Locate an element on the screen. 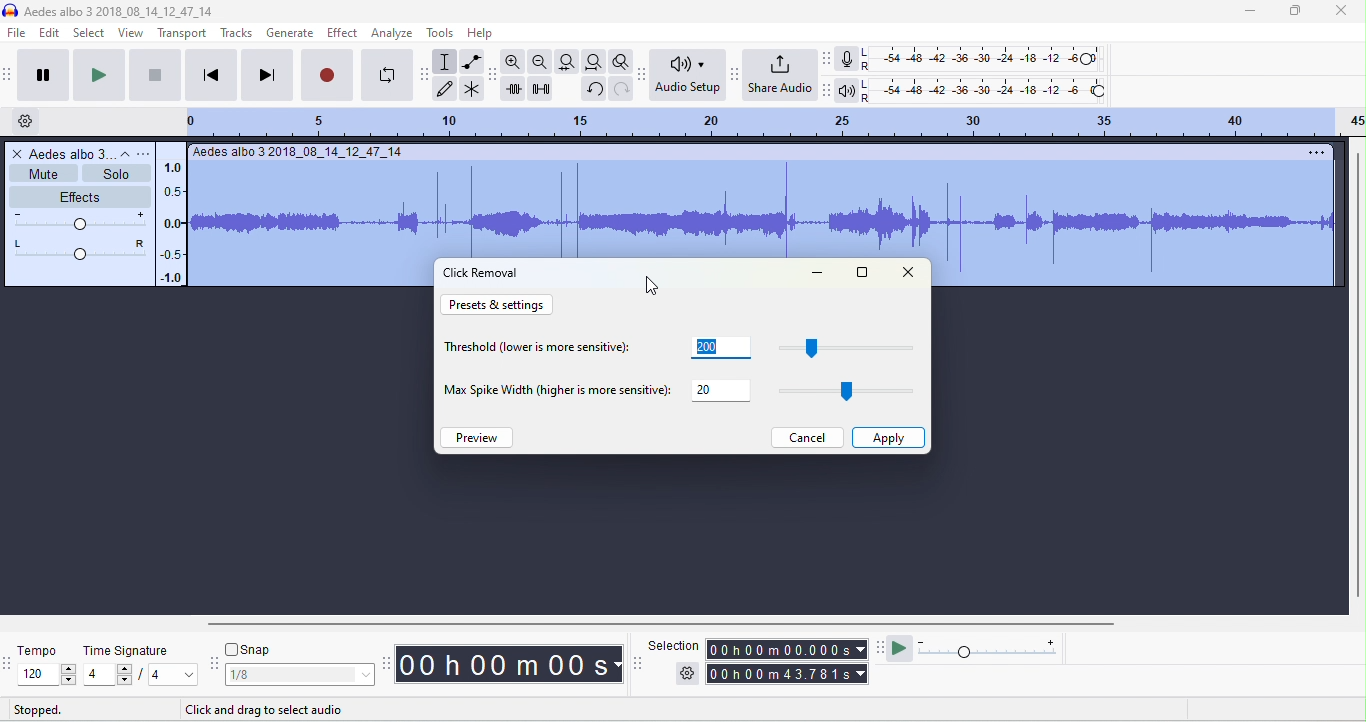 This screenshot has height=722, width=1366. minimize is located at coordinates (1249, 11).